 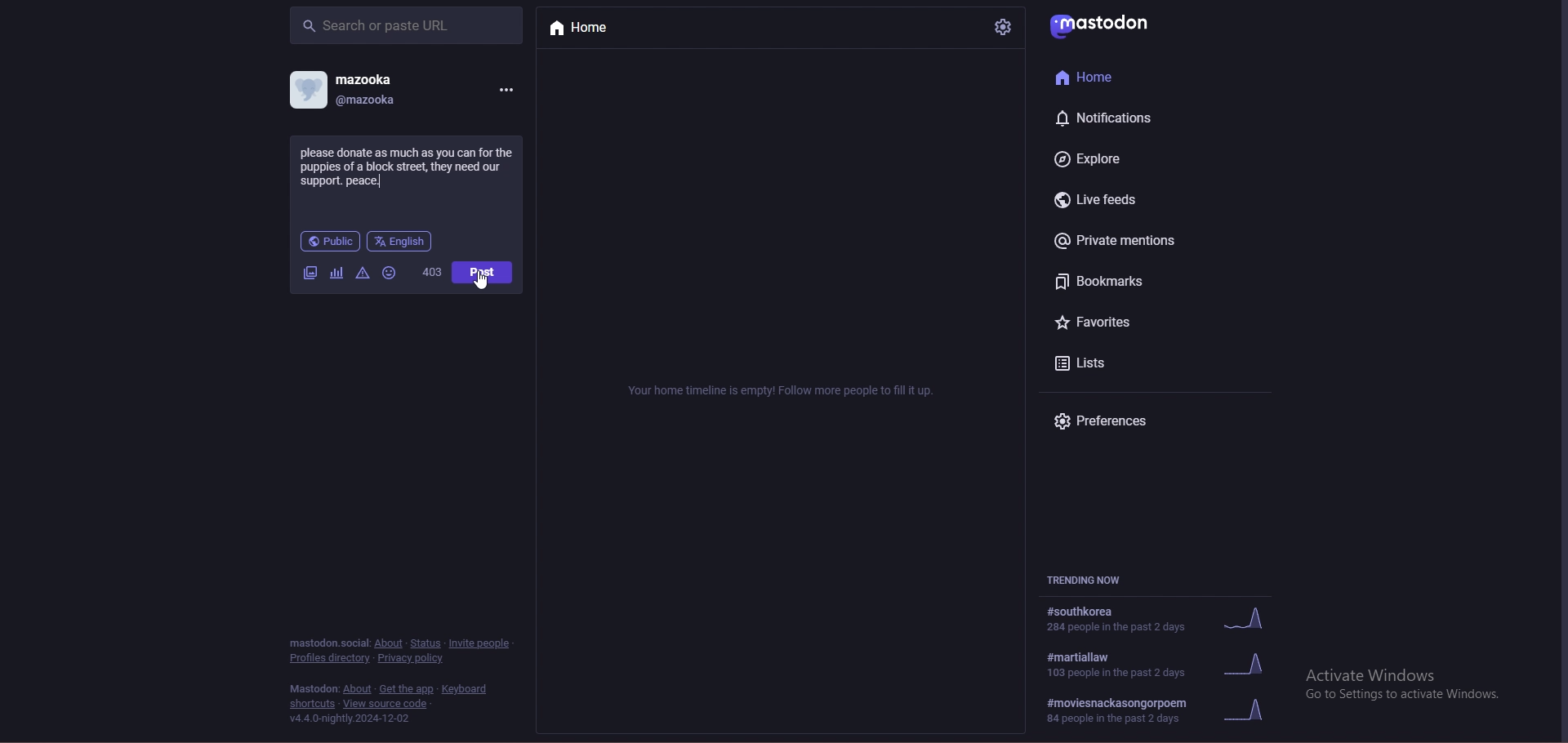 What do you see at coordinates (1156, 666) in the screenshot?
I see `trending` at bounding box center [1156, 666].